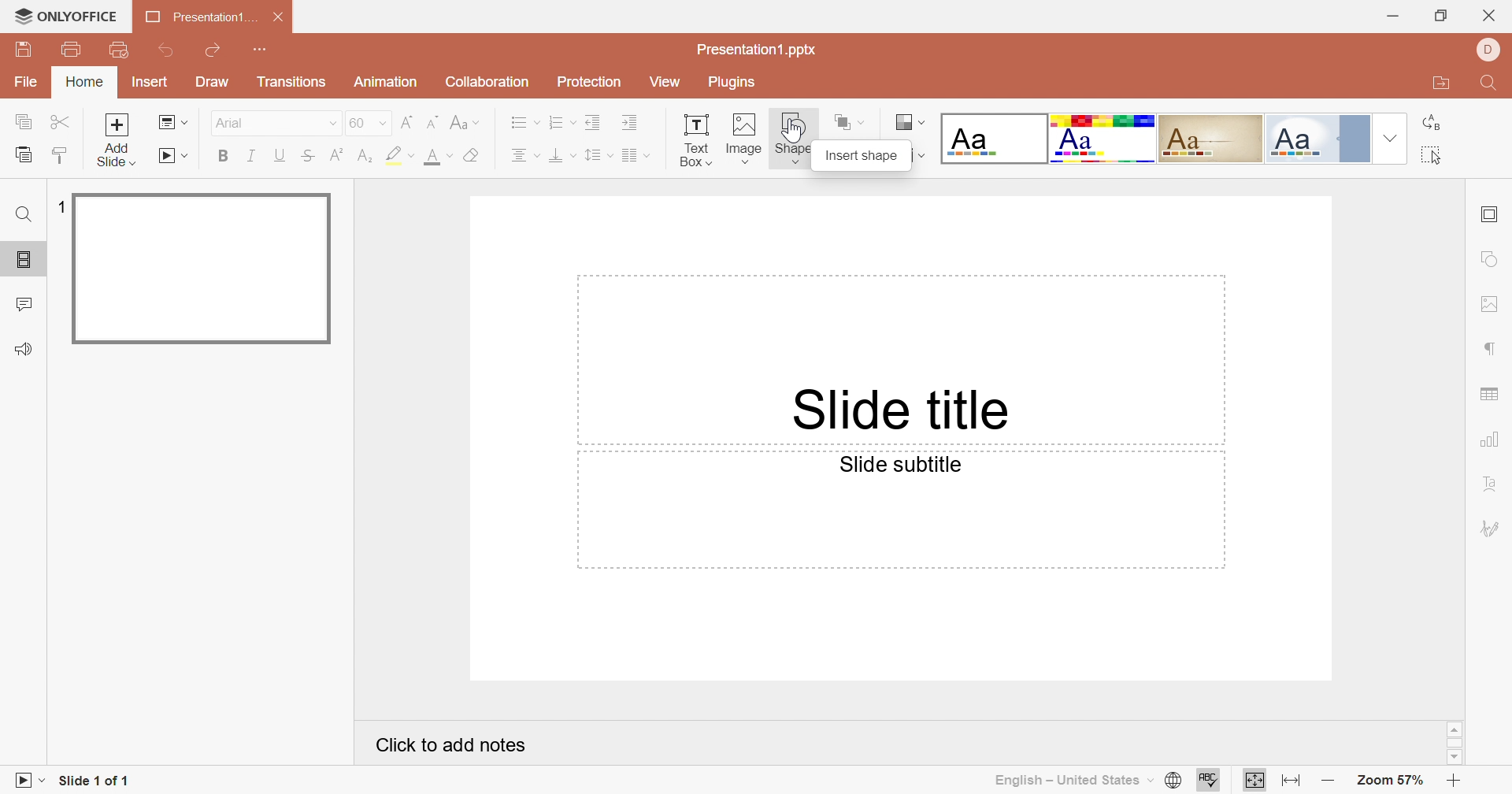 This screenshot has height=794, width=1512. Describe the element at coordinates (174, 123) in the screenshot. I see `Change slide layout` at that location.